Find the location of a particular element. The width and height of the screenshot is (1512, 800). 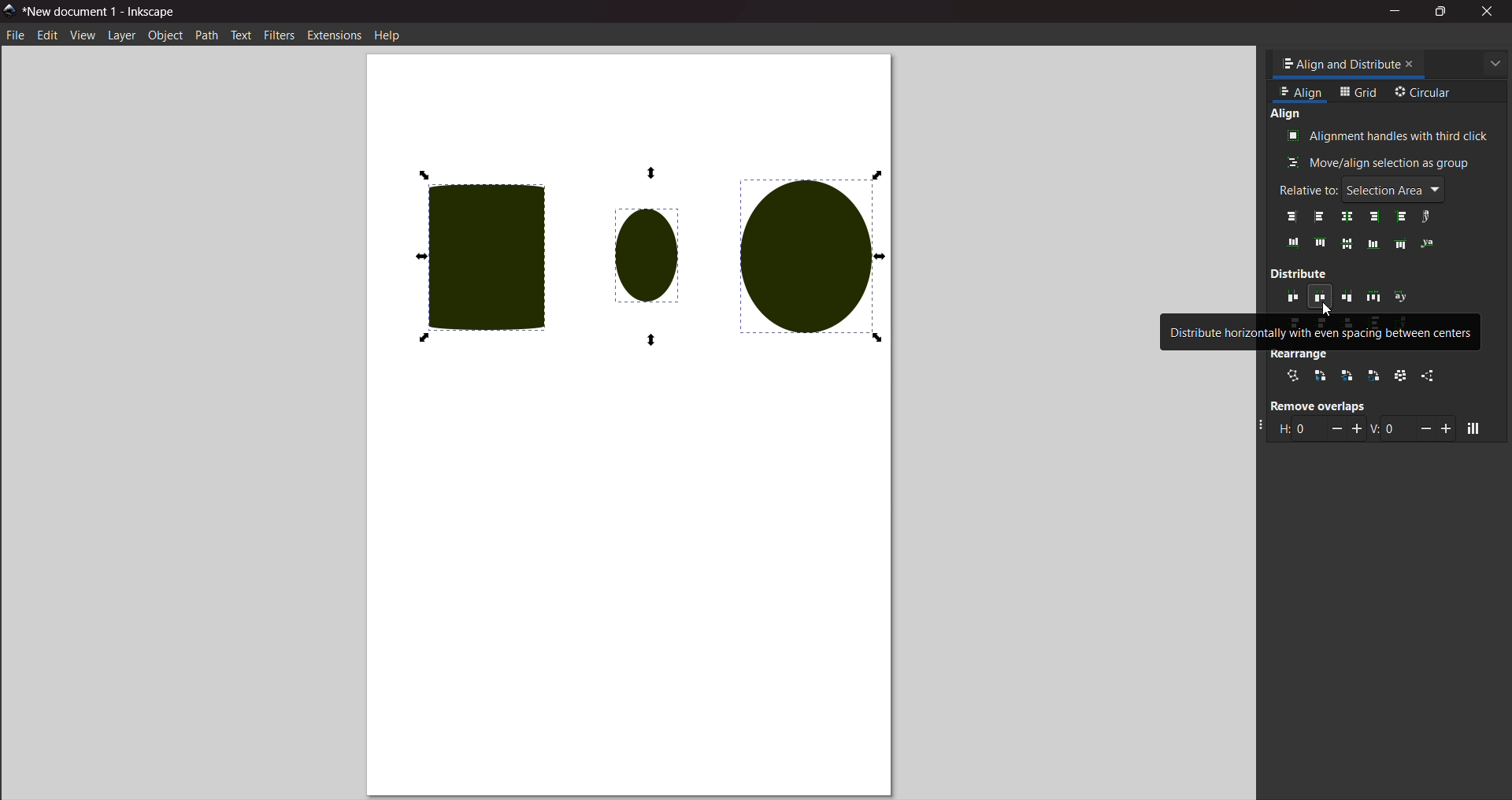

cursor is located at coordinates (1325, 309).